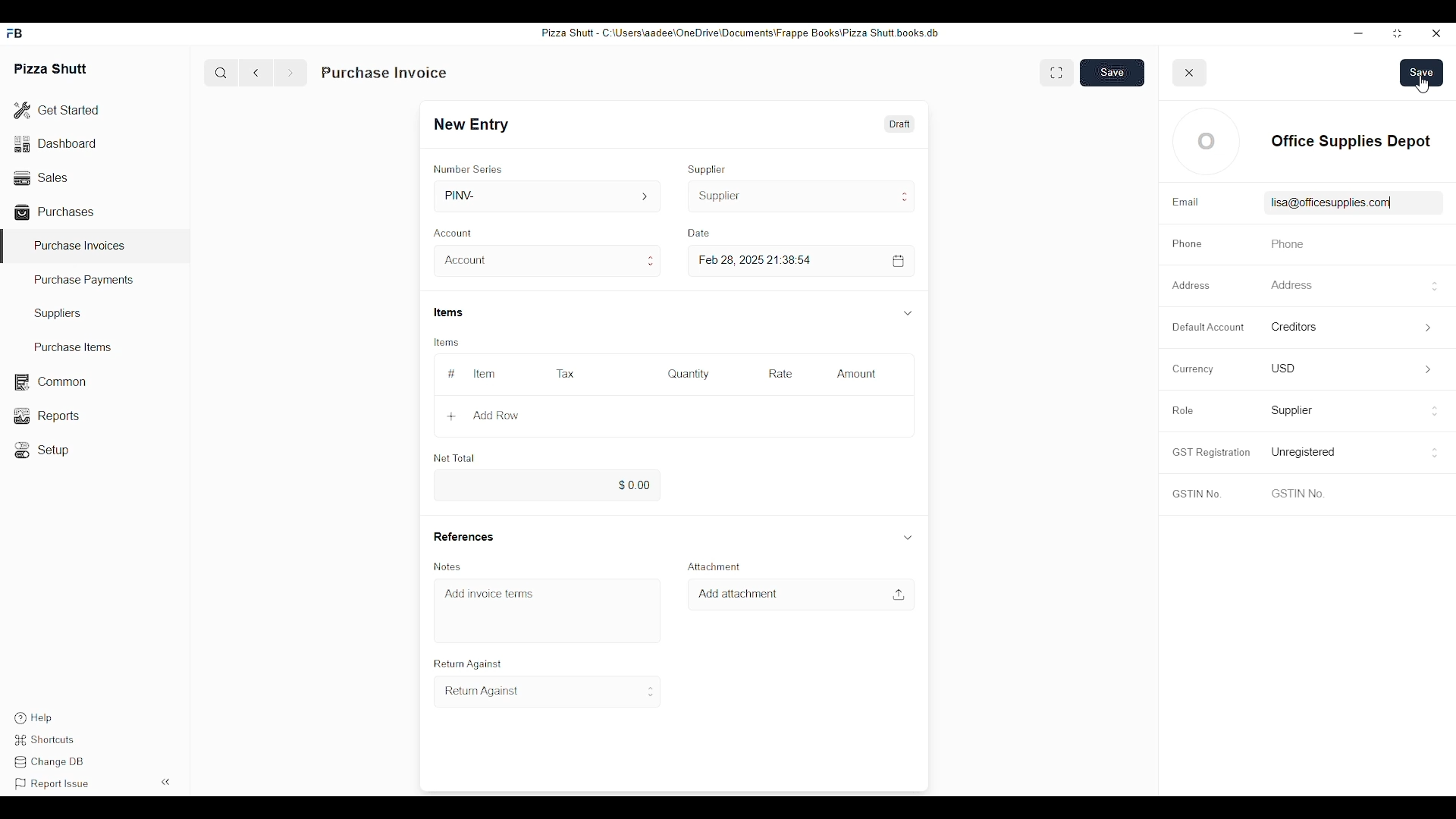  Describe the element at coordinates (564, 373) in the screenshot. I see `Tax` at that location.